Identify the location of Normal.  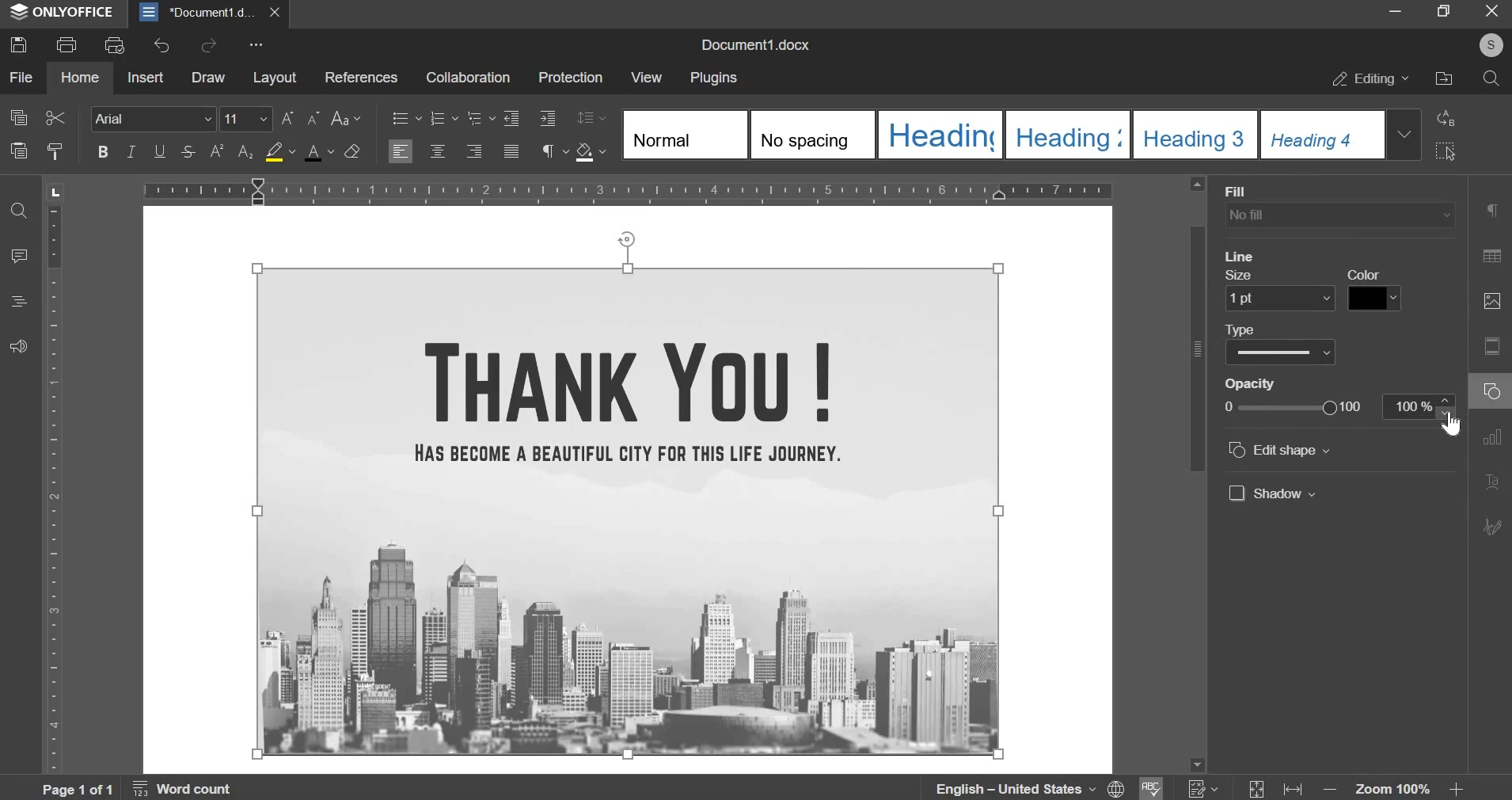
(682, 135).